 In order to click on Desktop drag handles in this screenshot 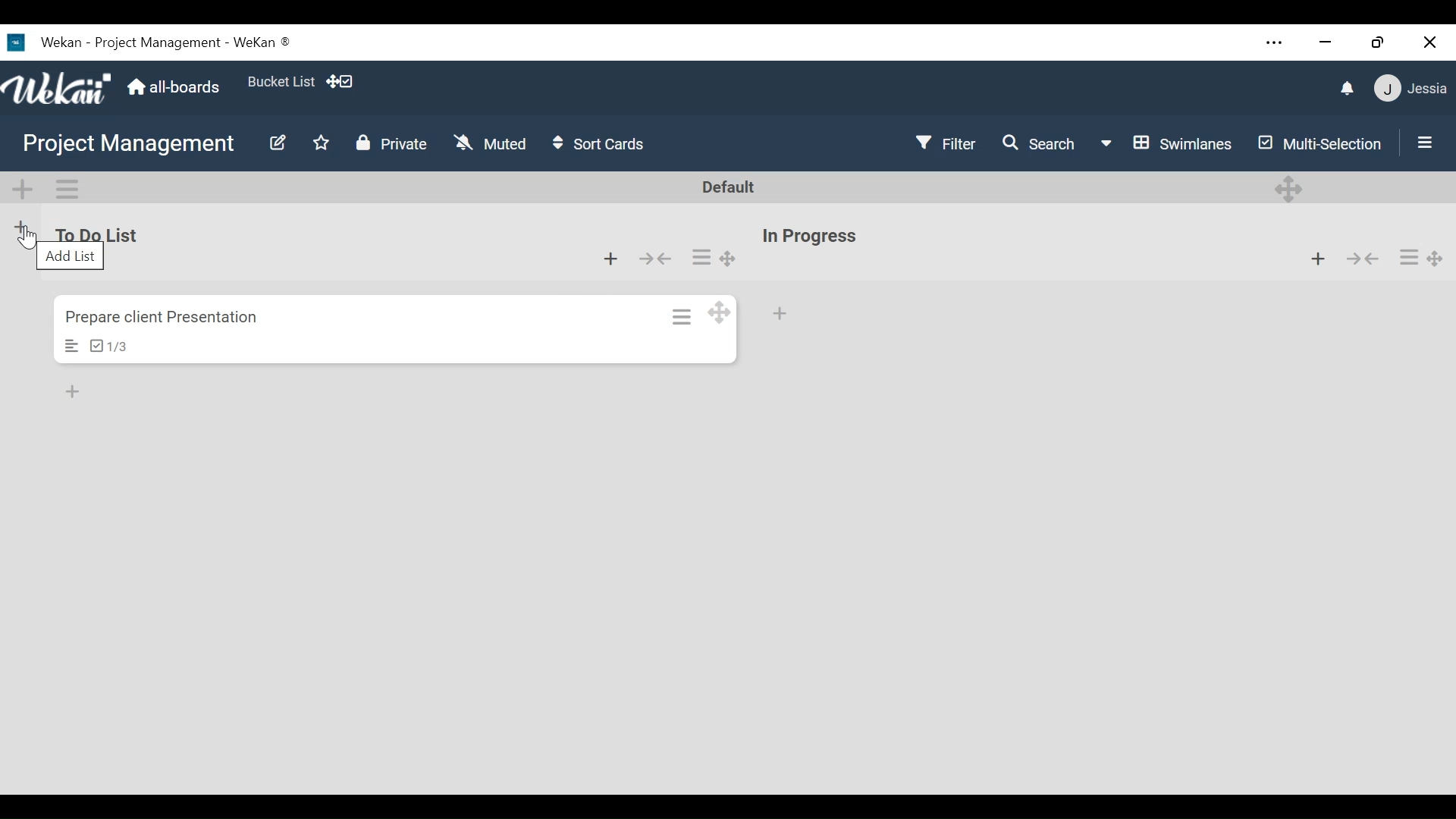, I will do `click(720, 314)`.